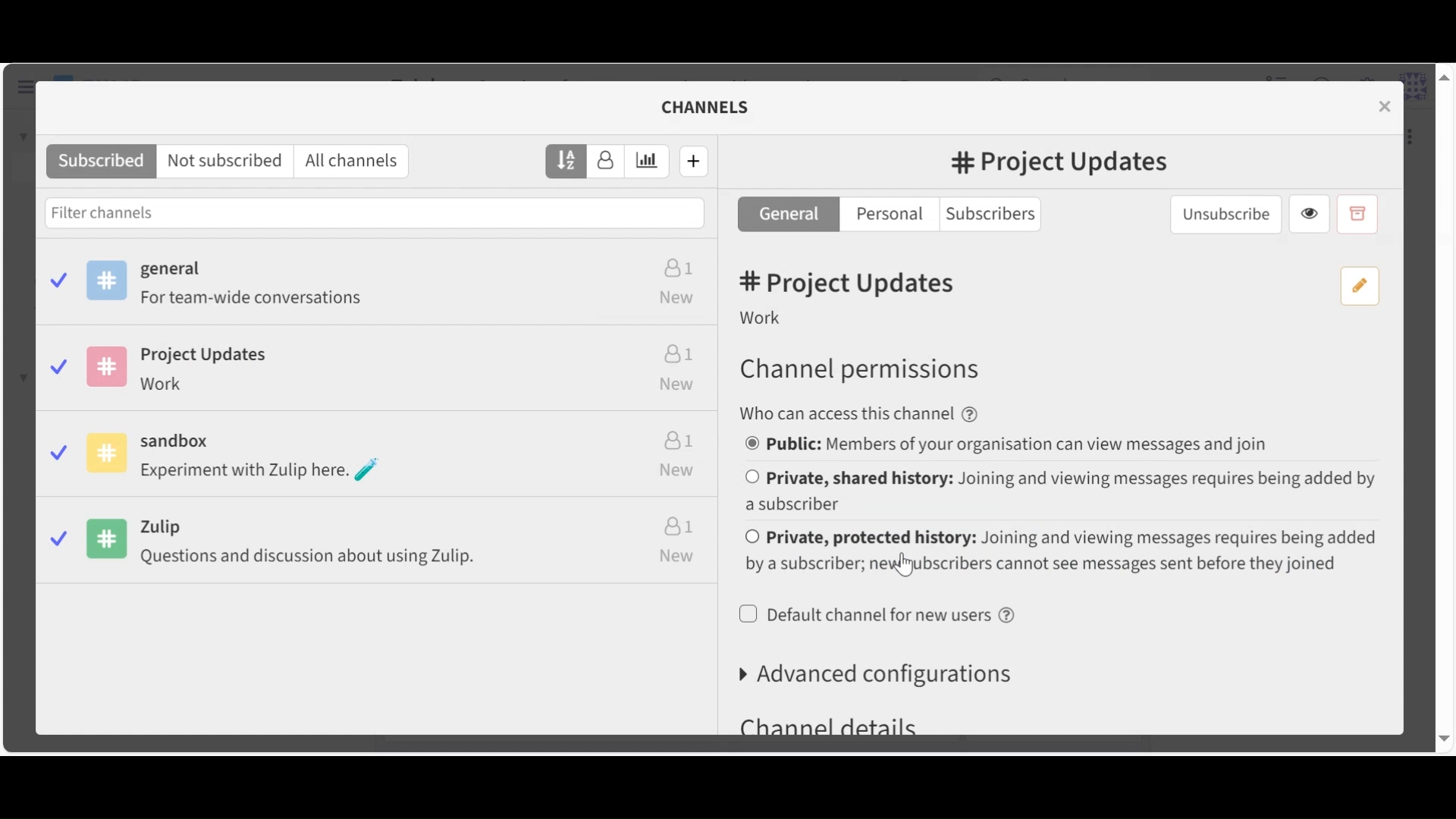  Describe the element at coordinates (1022, 444) in the screenshot. I see `(un)select public` at that location.